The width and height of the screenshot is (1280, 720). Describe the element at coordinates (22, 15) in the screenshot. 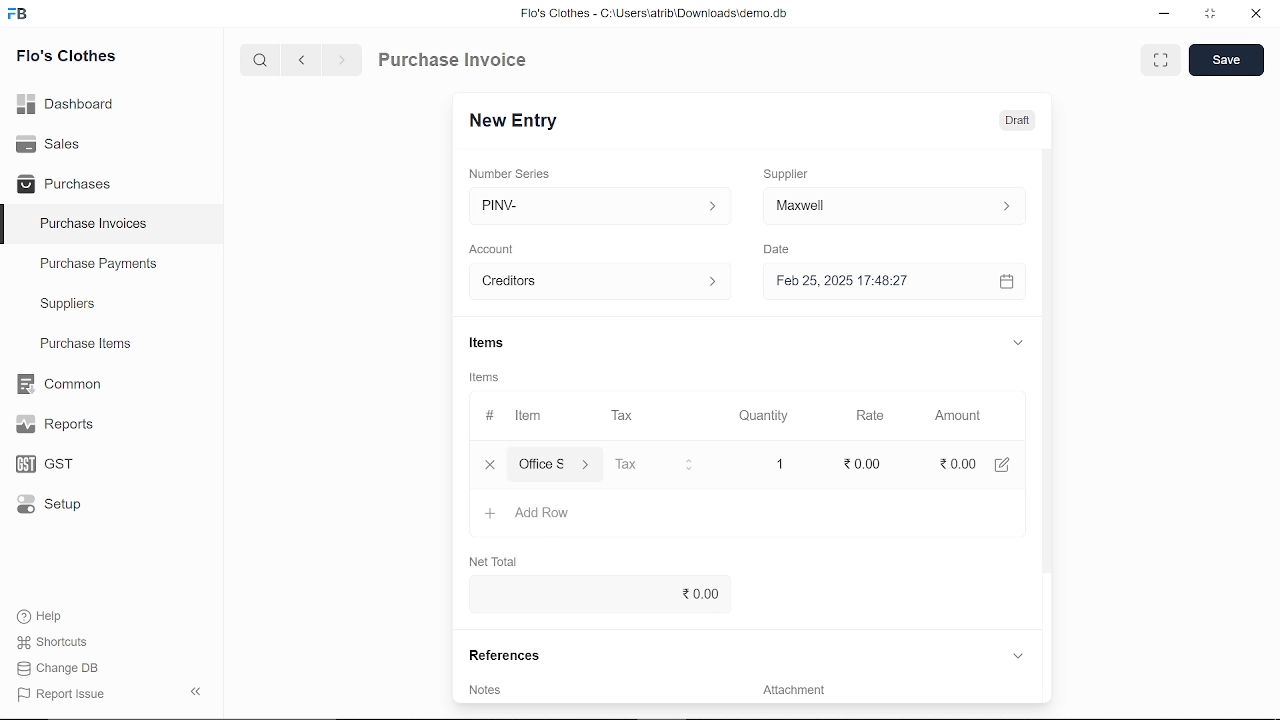

I see `frappe books logo` at that location.